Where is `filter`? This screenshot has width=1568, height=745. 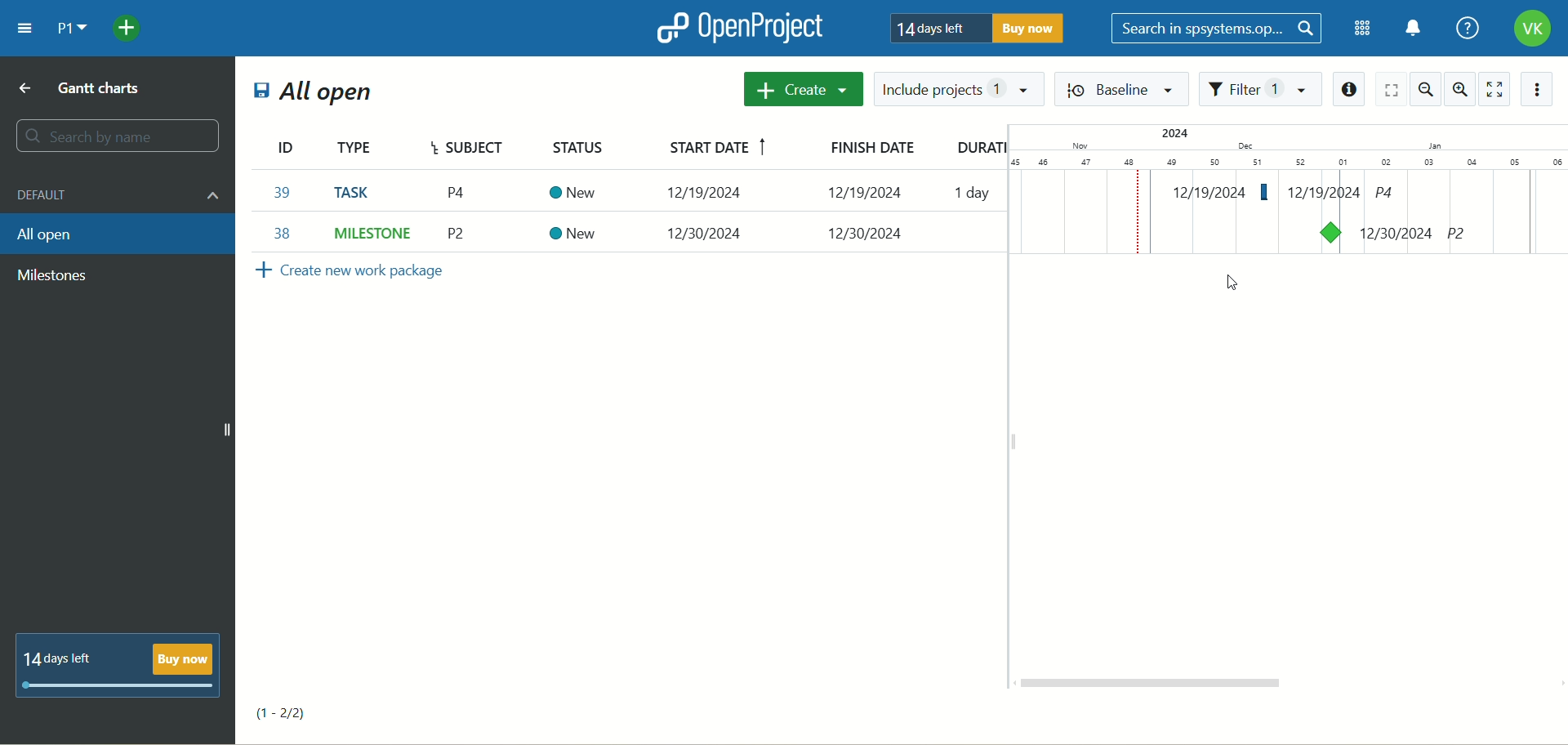 filter is located at coordinates (1260, 89).